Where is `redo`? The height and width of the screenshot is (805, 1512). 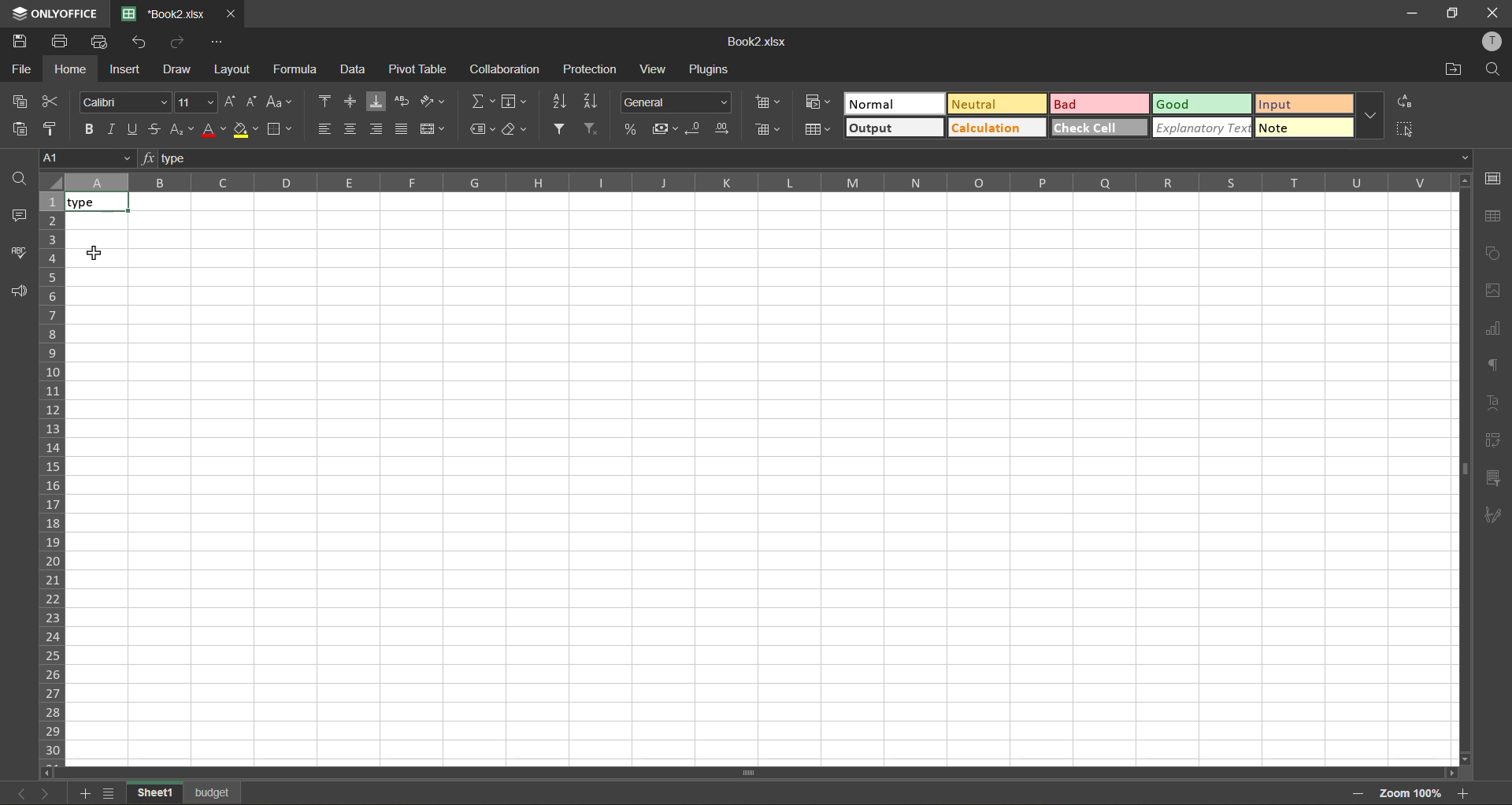 redo is located at coordinates (179, 43).